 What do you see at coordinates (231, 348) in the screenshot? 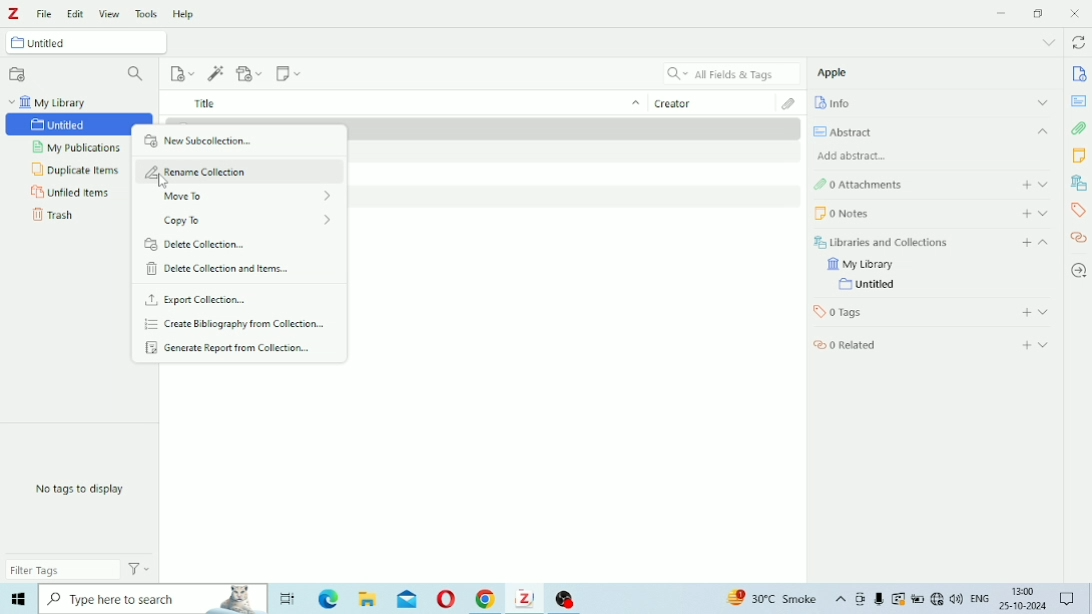
I see `Generate Report trom Collection.` at bounding box center [231, 348].